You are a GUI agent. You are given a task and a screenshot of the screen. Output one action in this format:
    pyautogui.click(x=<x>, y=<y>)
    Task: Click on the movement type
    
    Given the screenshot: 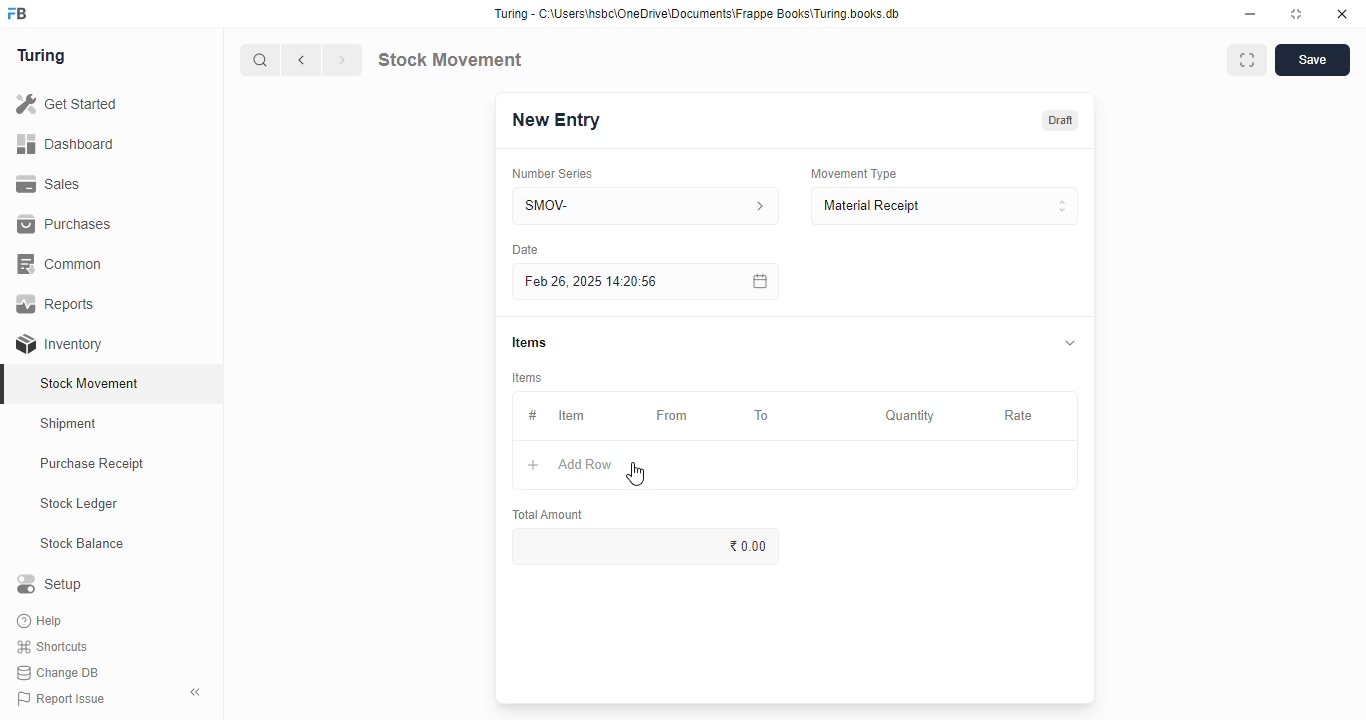 What is the action you would take?
    pyautogui.click(x=853, y=173)
    